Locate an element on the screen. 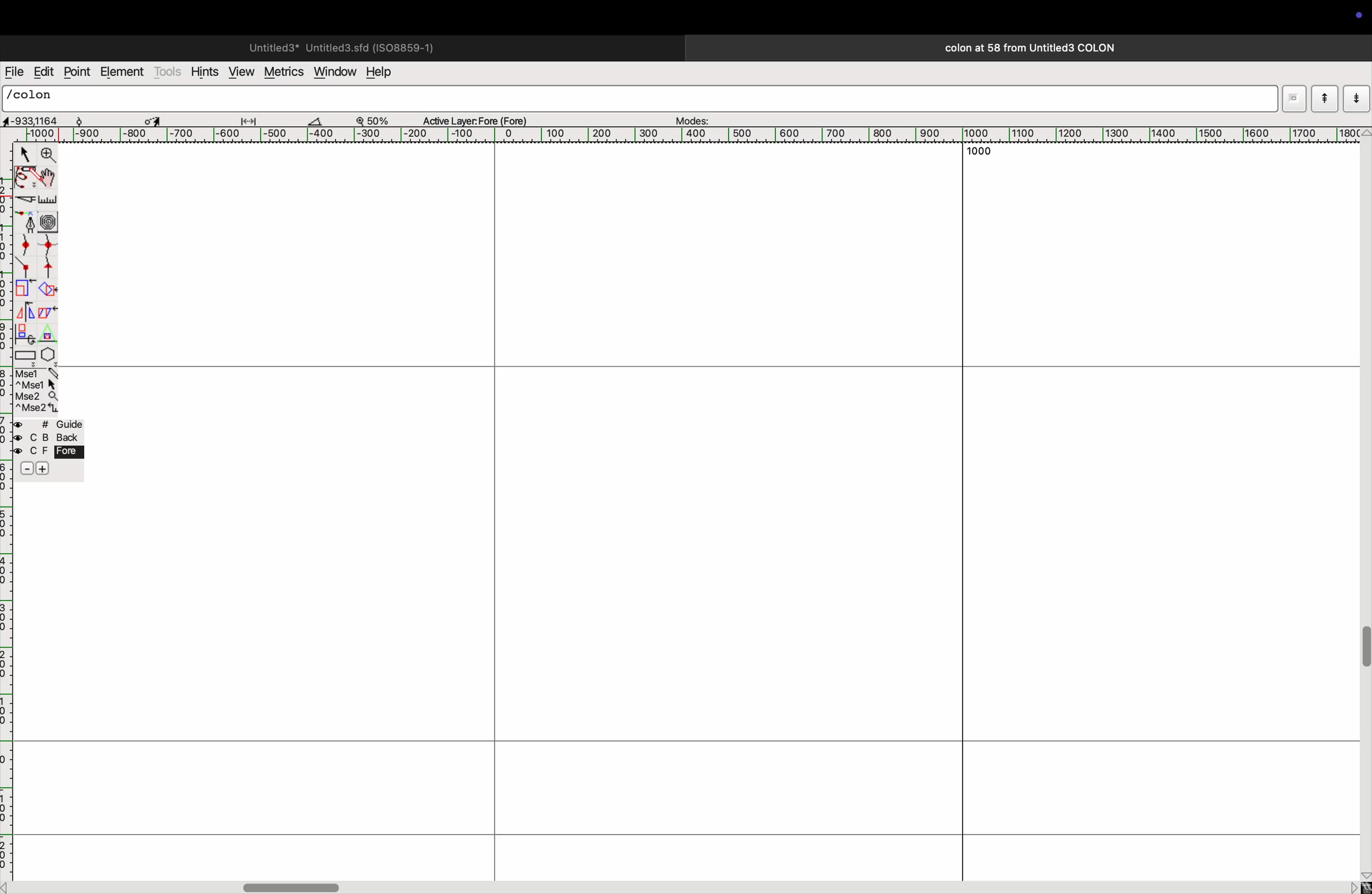 Image resolution: width=1372 pixels, height=894 pixels. untitled page is located at coordinates (340, 46).